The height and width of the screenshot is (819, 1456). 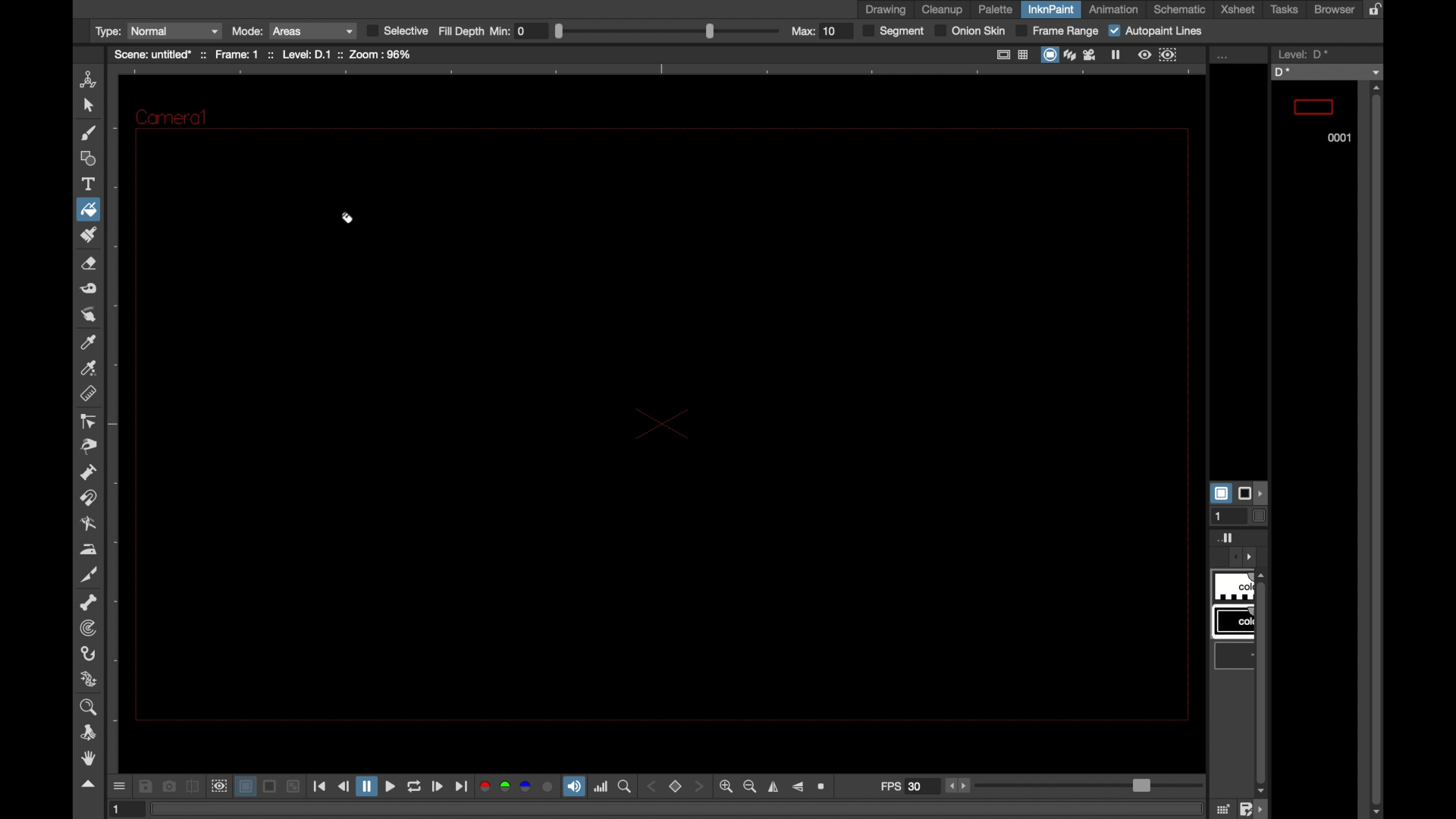 I want to click on blue, so click(x=526, y=787).